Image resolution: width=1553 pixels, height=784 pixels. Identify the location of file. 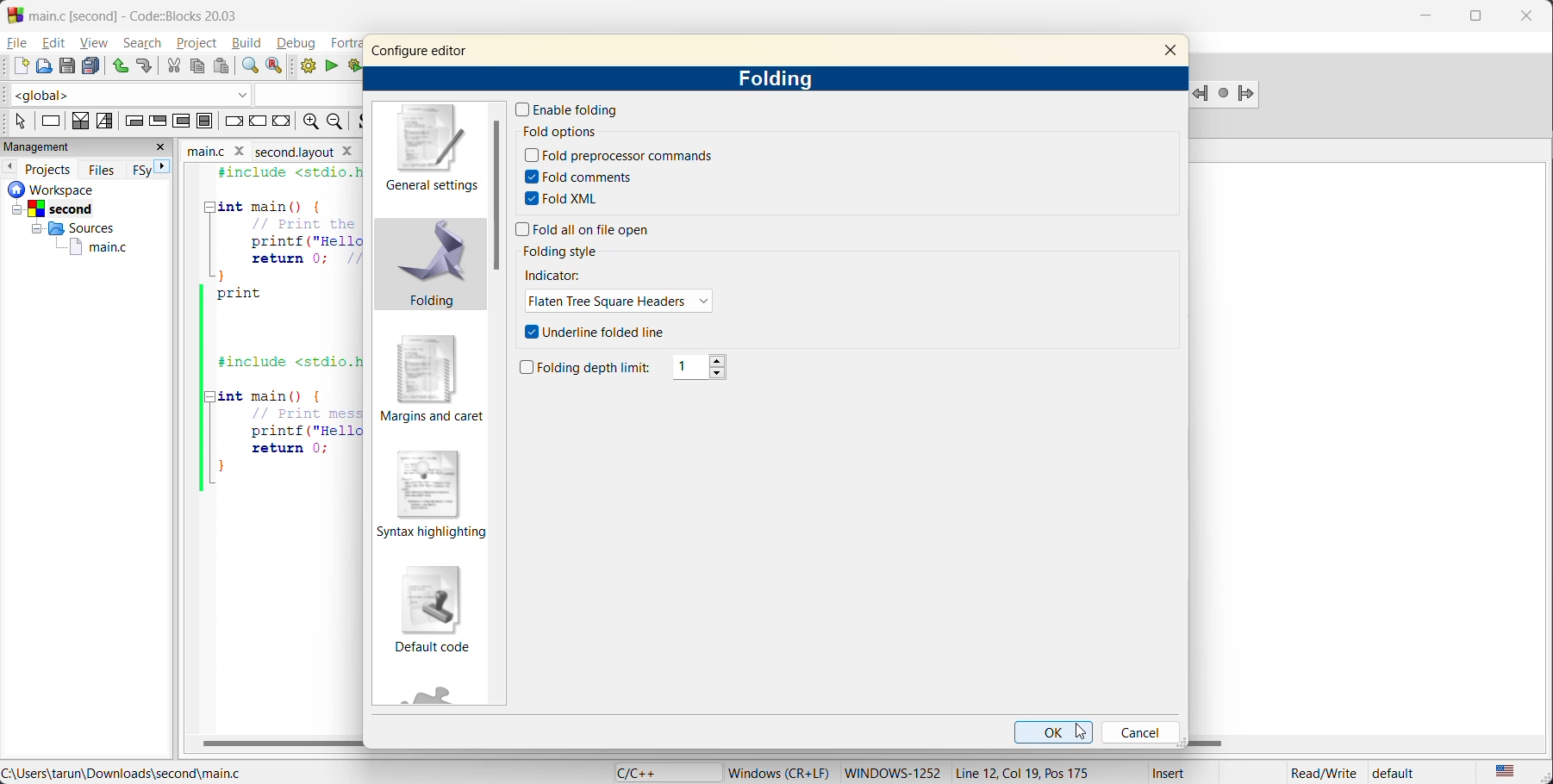
(16, 44).